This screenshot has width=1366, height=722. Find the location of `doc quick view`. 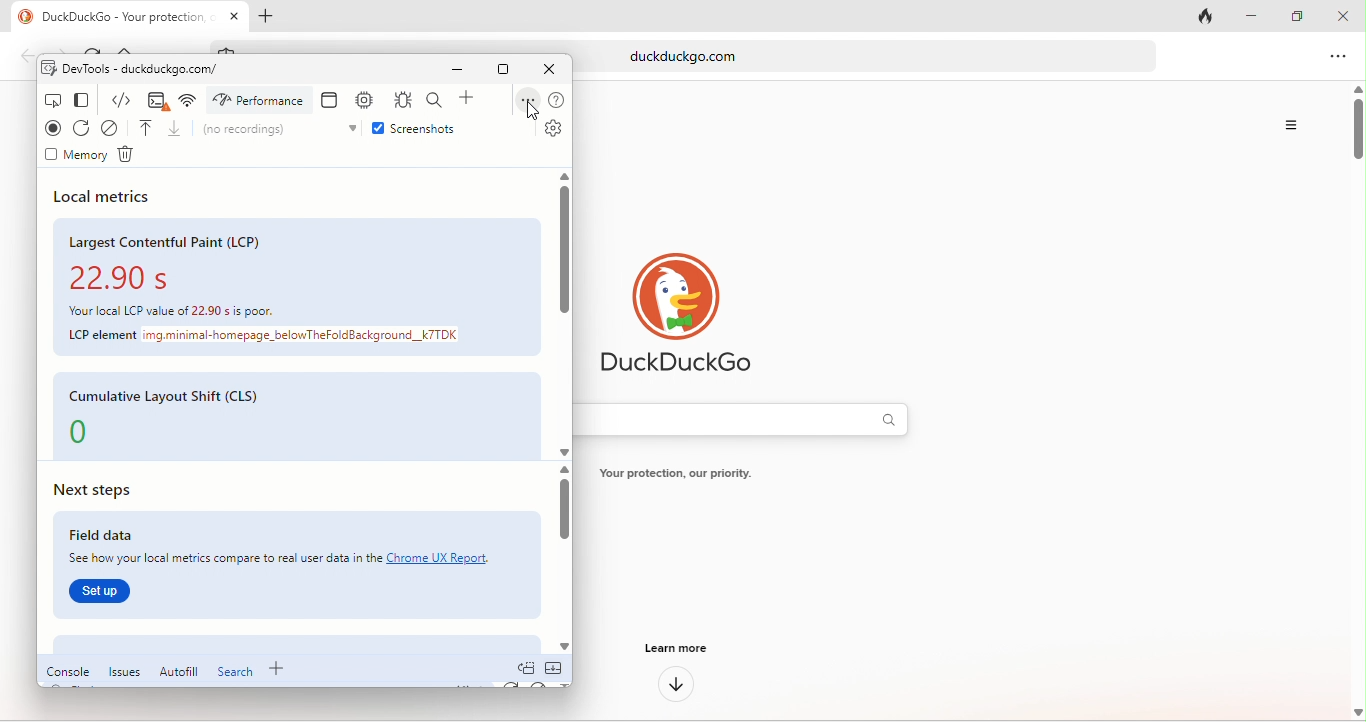

doc quick view is located at coordinates (518, 667).